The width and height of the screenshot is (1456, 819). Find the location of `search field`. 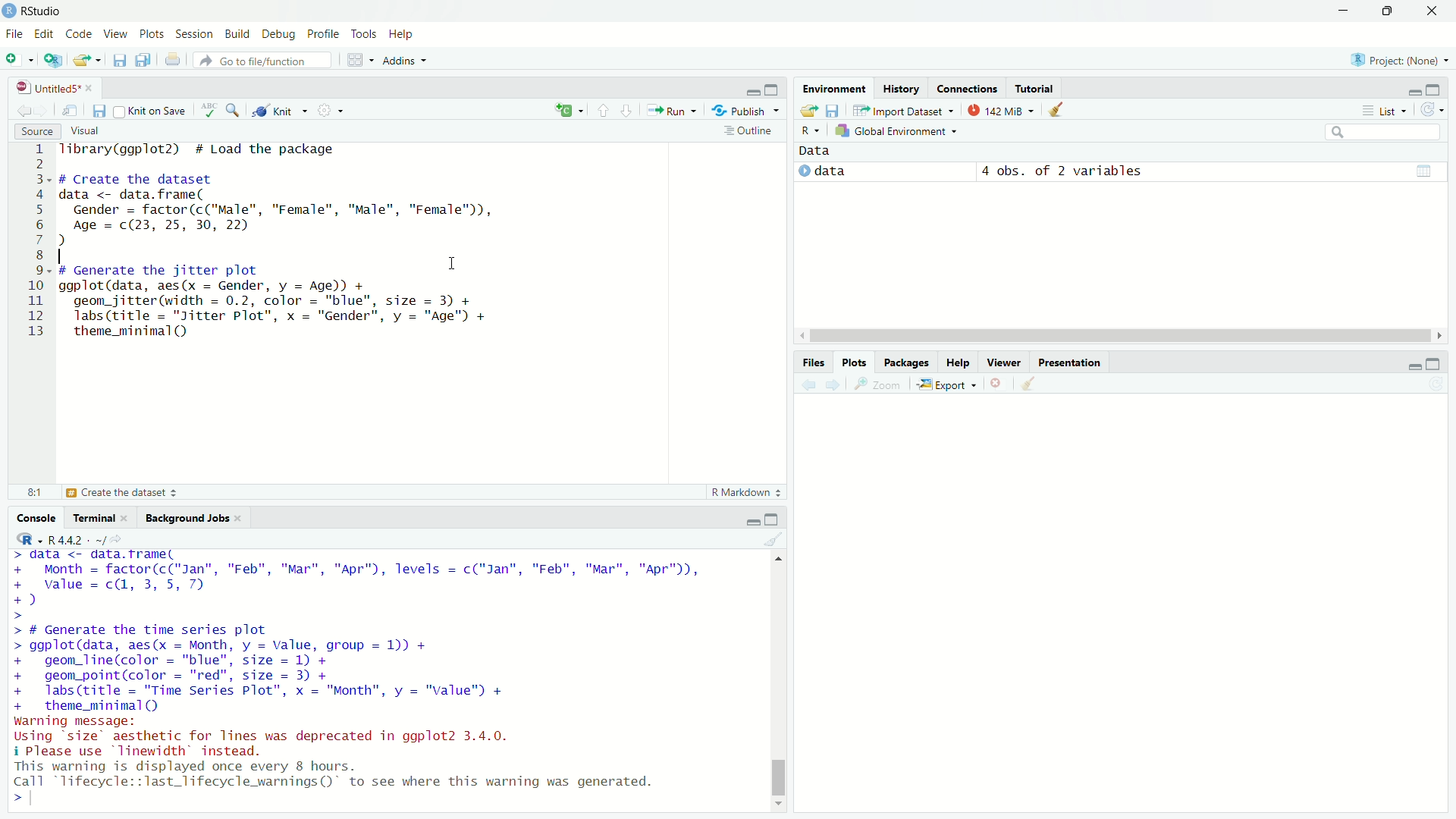

search field is located at coordinates (1388, 133).